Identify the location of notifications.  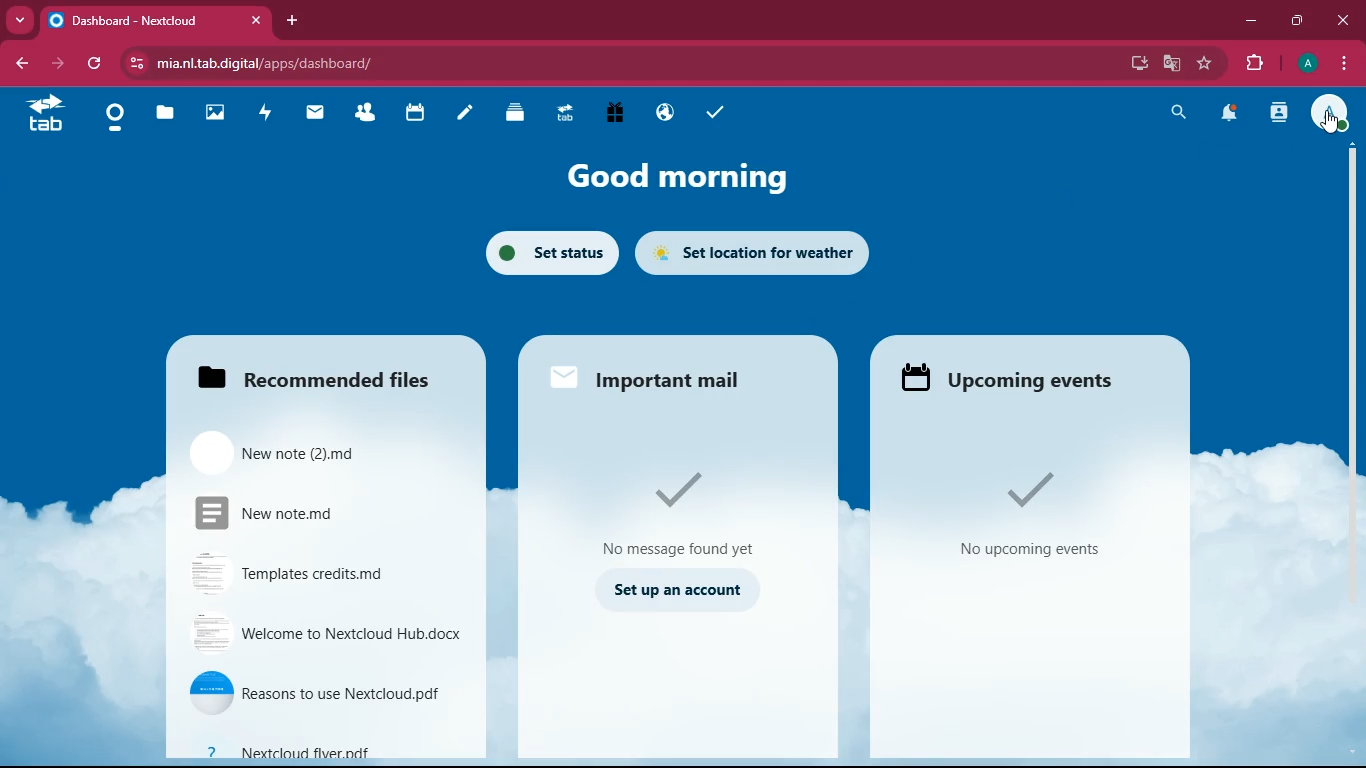
(1228, 114).